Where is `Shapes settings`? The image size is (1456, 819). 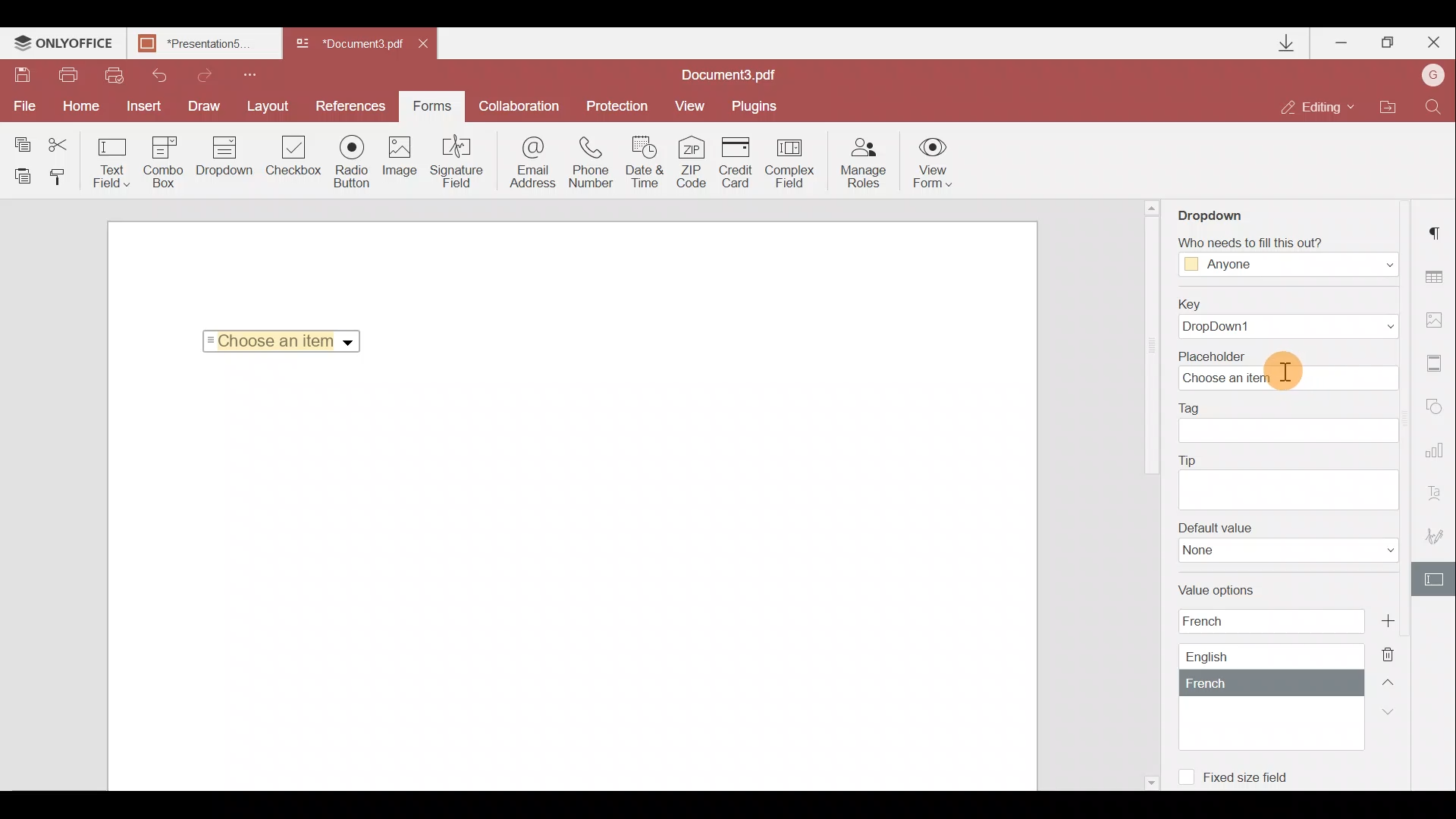
Shapes settings is located at coordinates (1437, 409).